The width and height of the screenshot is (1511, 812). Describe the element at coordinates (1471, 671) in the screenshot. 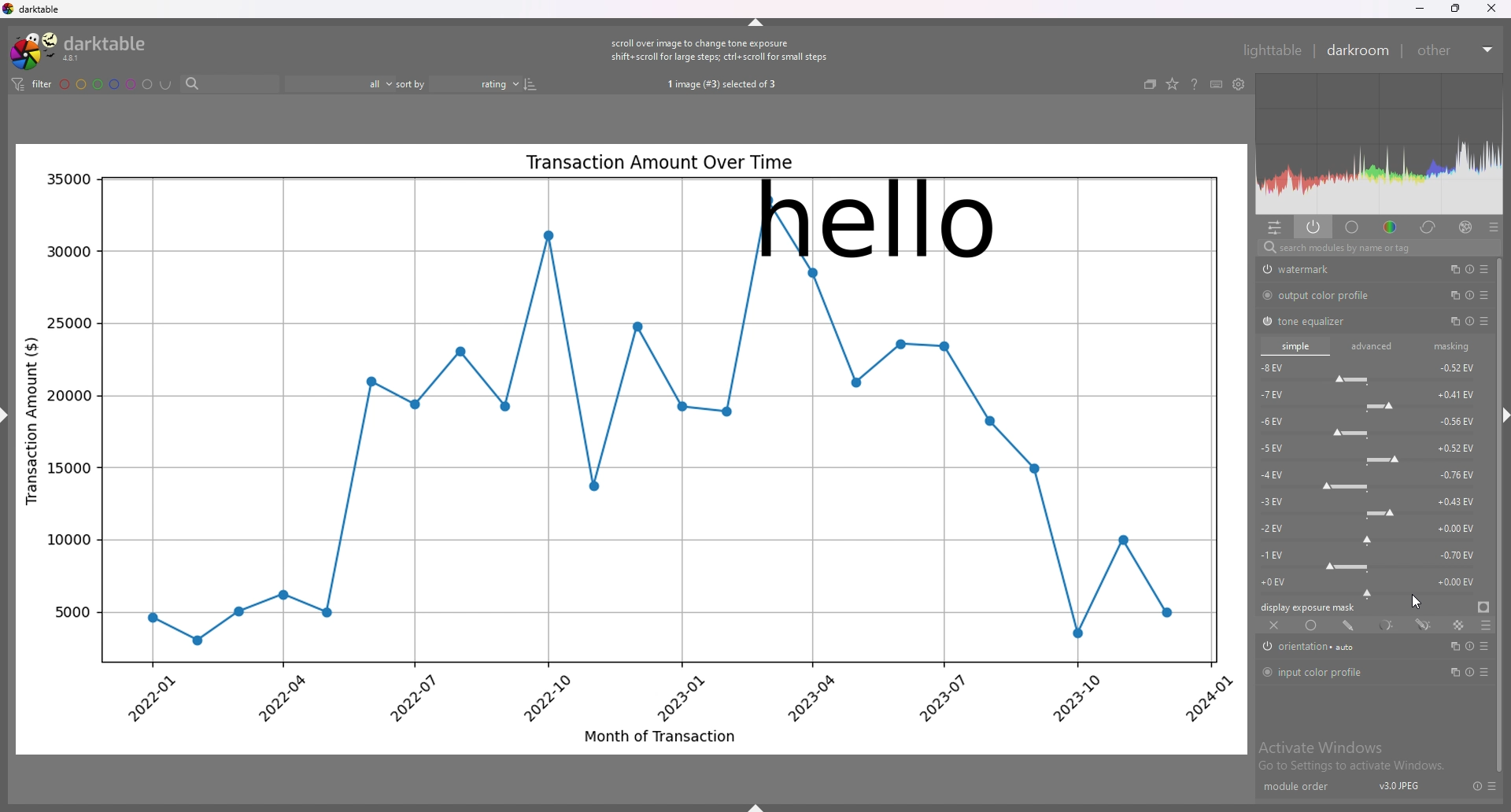

I see `multiple instance actions, reset and presets` at that location.